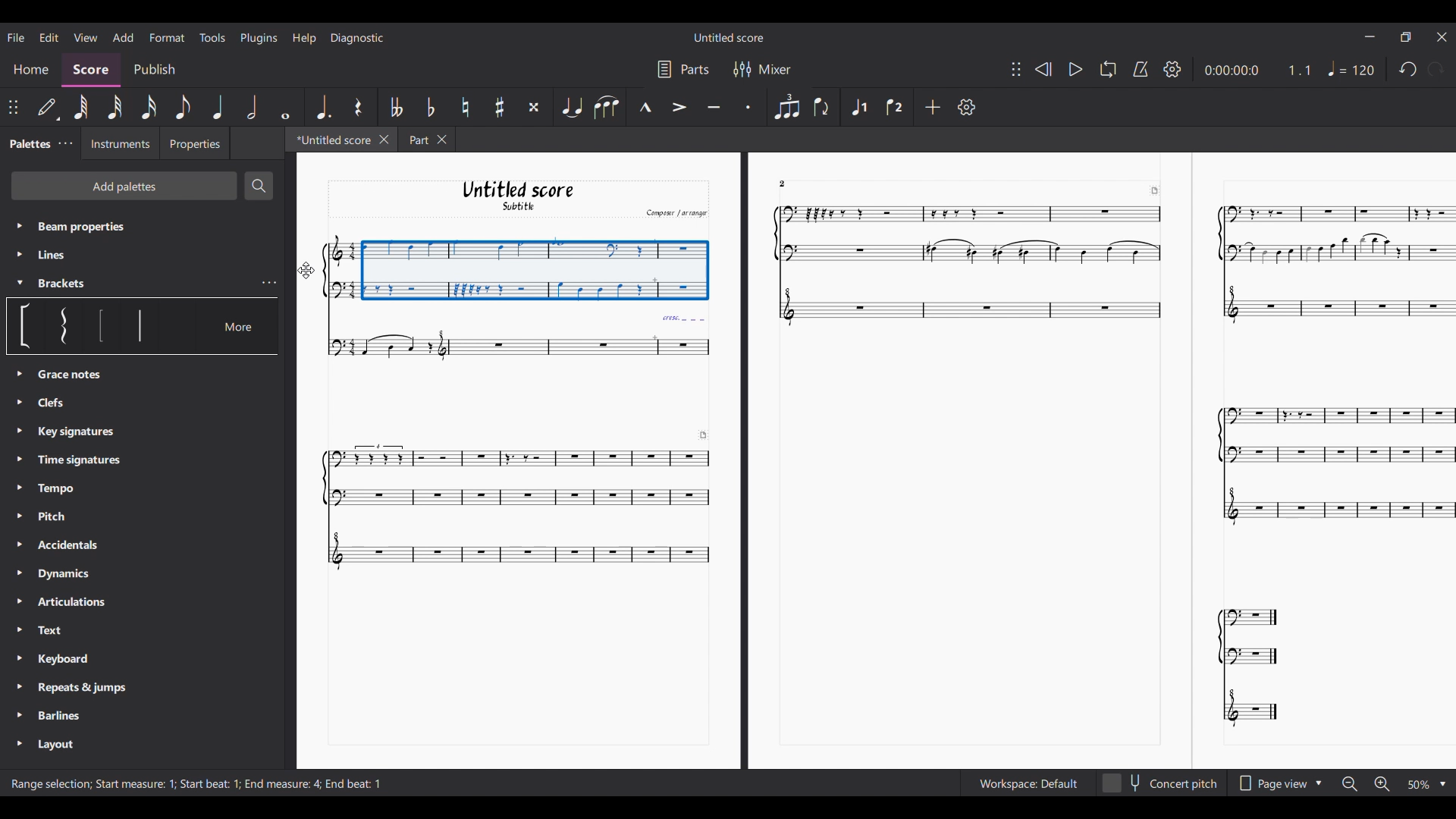  I want to click on Option under bracket section, so click(140, 325).